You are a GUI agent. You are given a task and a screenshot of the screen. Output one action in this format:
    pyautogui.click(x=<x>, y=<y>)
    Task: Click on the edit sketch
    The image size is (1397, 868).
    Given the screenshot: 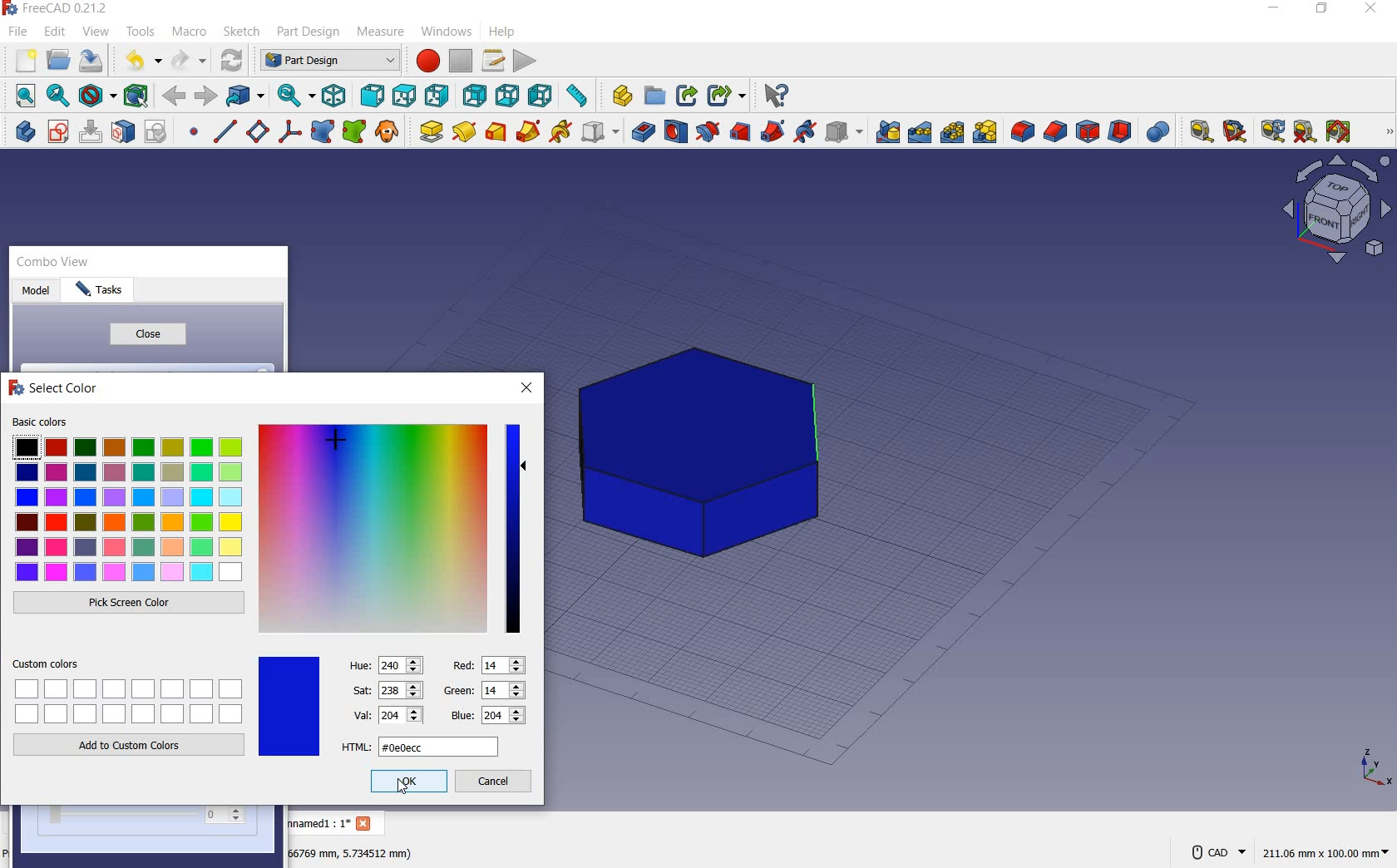 What is the action you would take?
    pyautogui.click(x=92, y=131)
    